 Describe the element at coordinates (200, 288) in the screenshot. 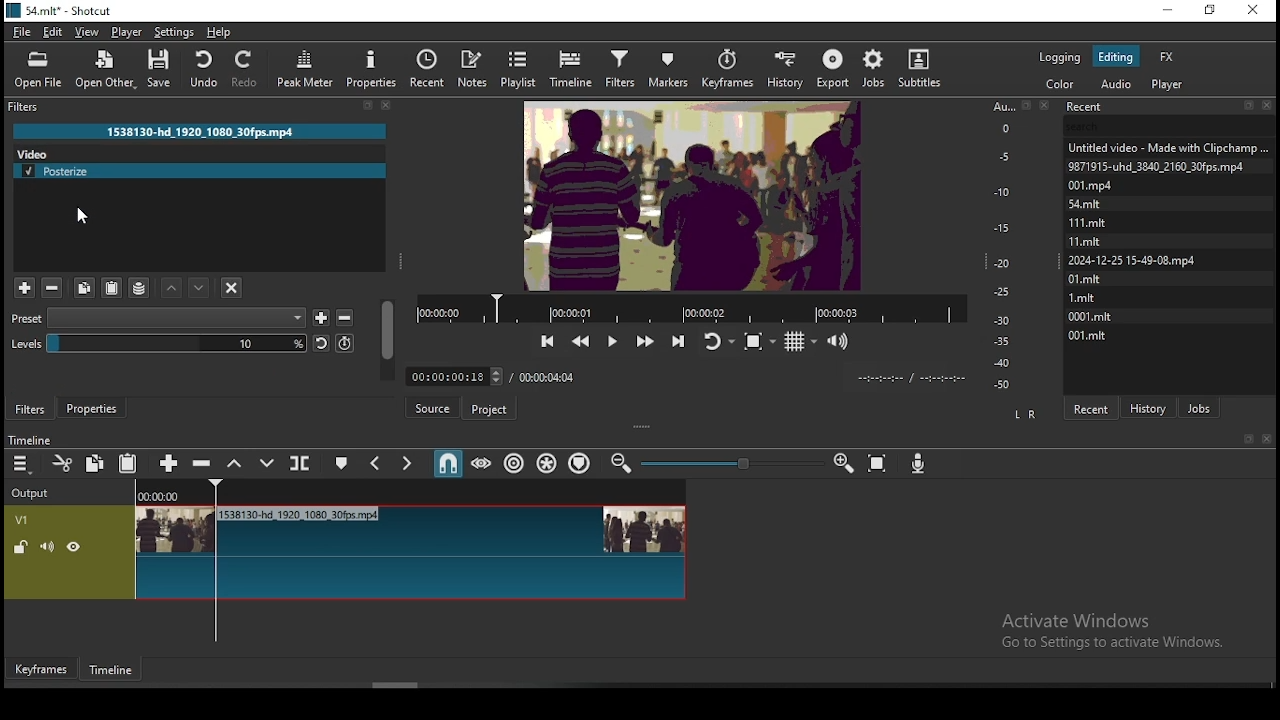

I see `move filter down` at that location.